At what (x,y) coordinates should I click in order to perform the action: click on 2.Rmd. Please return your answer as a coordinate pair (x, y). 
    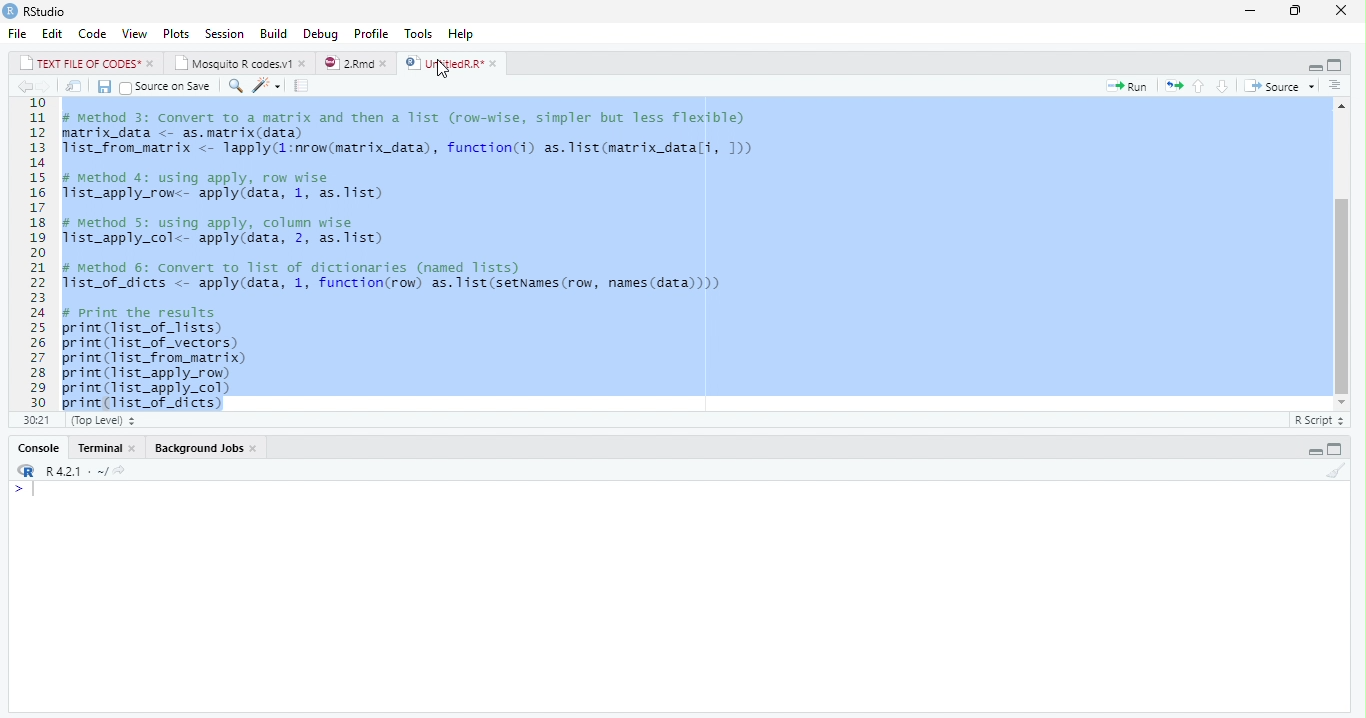
    Looking at the image, I should click on (356, 64).